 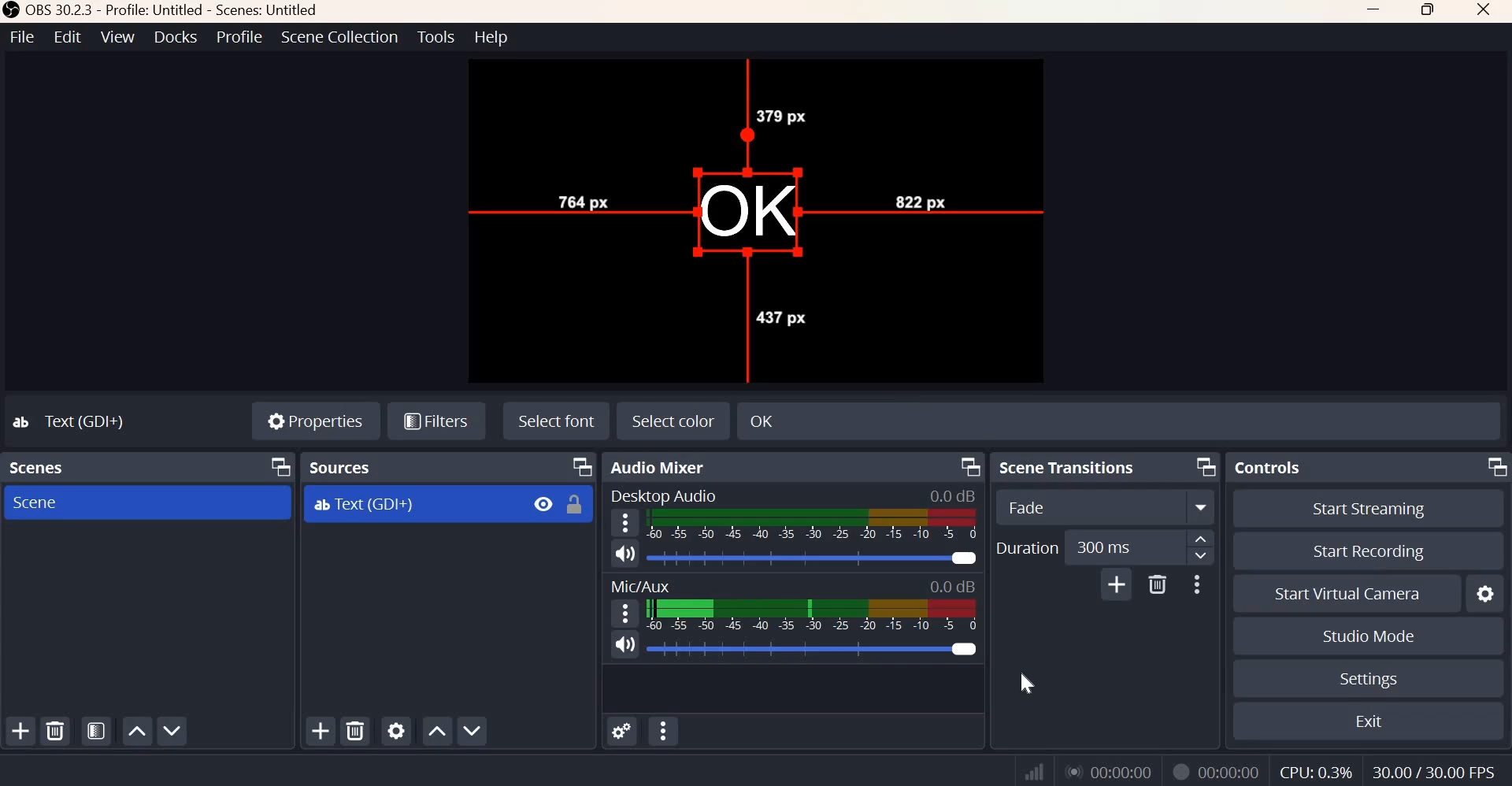 What do you see at coordinates (624, 644) in the screenshot?
I see `Speaker Icon` at bounding box center [624, 644].